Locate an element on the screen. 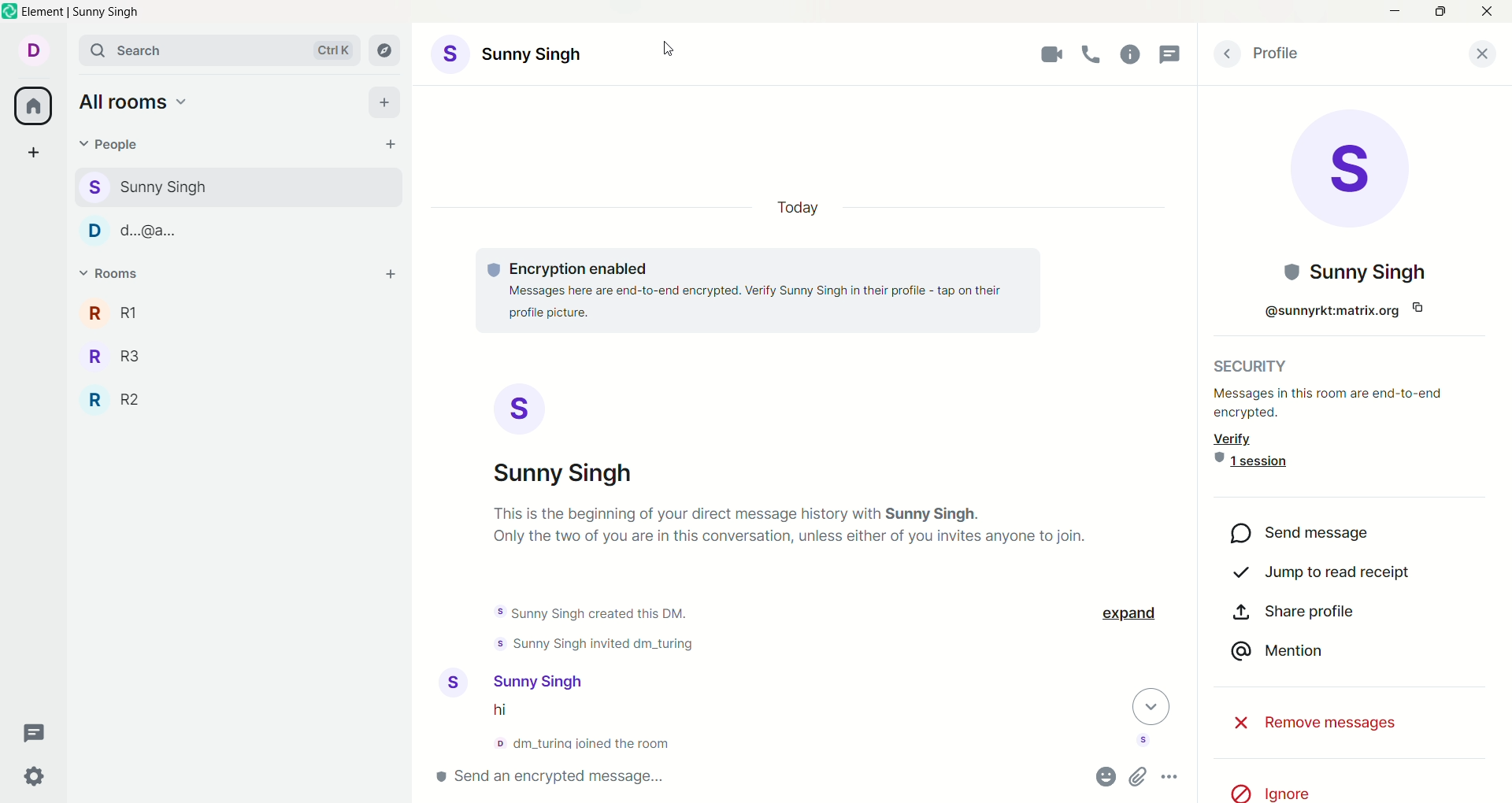  account is located at coordinates (517, 56).